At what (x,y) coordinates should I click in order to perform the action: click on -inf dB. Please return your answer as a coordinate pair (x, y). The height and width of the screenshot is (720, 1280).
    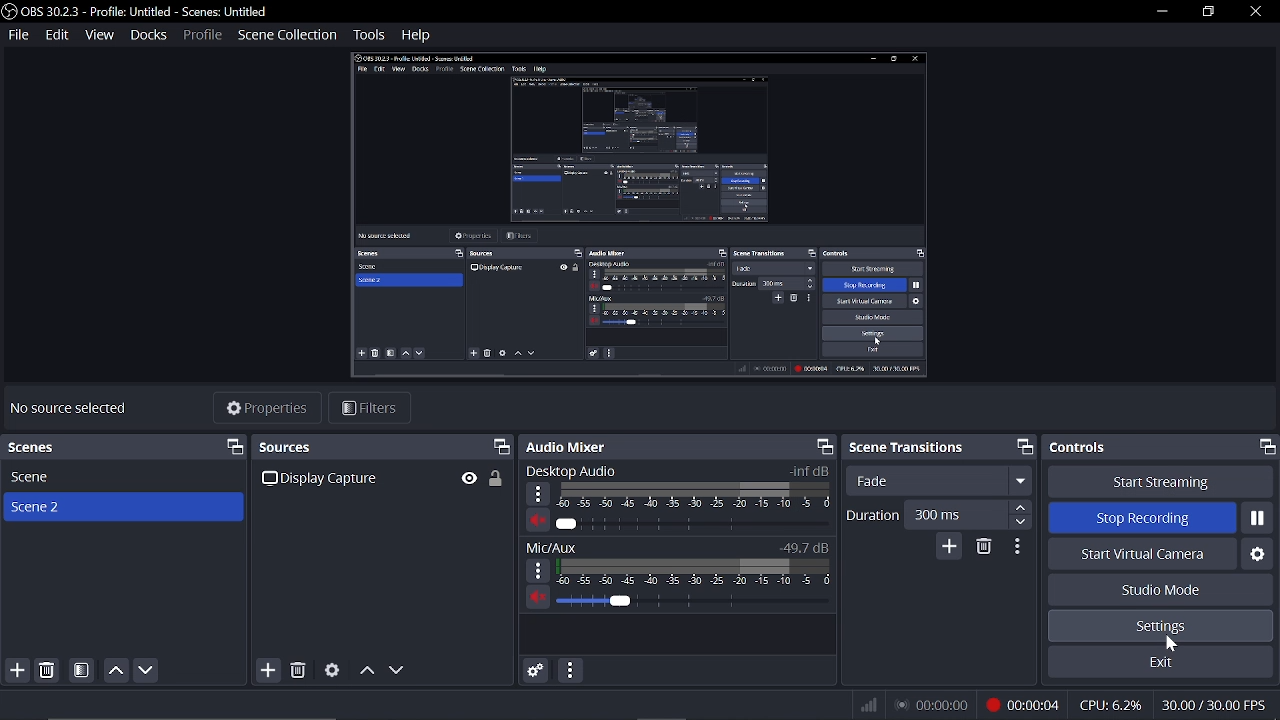
    Looking at the image, I should click on (802, 471).